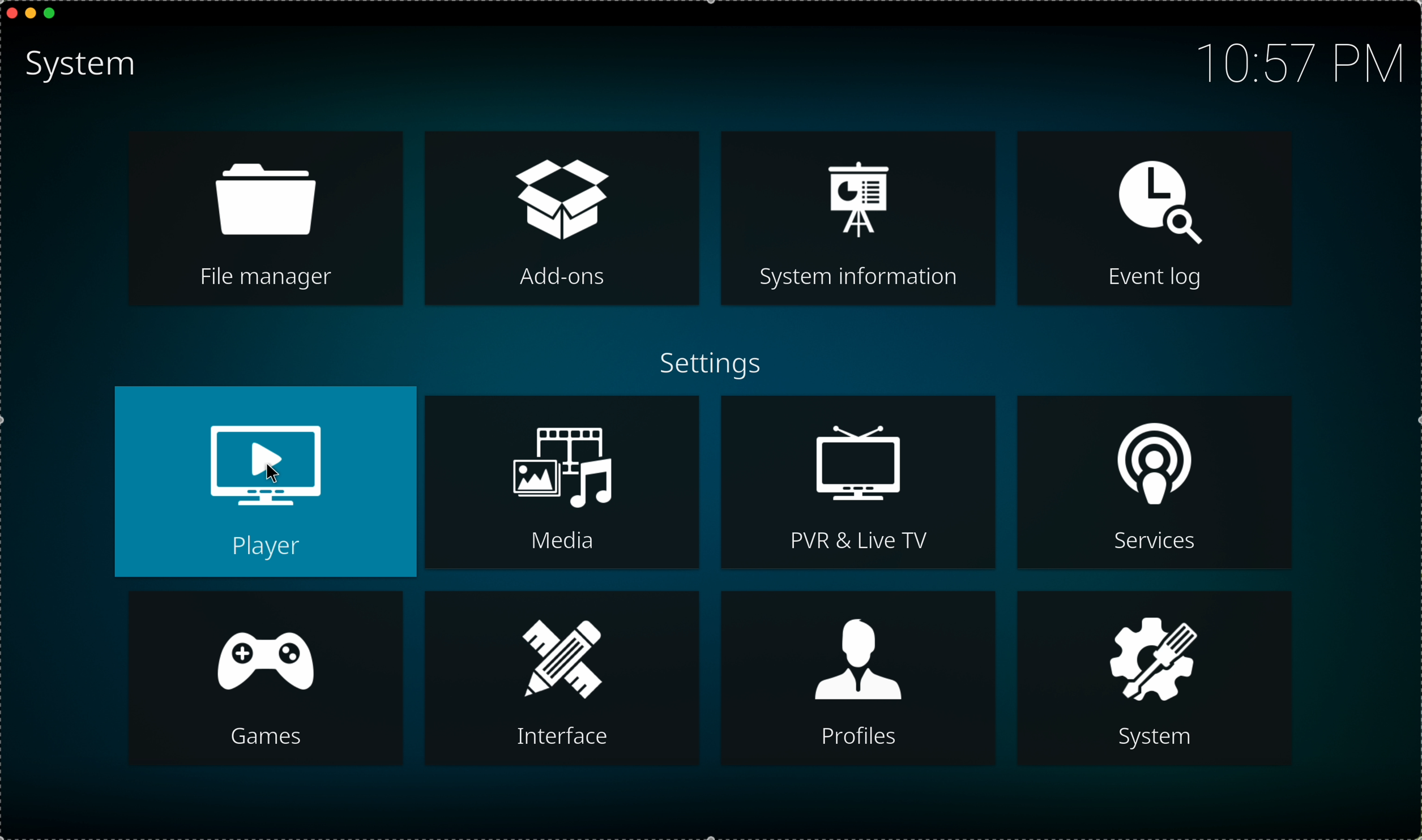 The image size is (1422, 840). Describe the element at coordinates (857, 217) in the screenshot. I see `system information` at that location.